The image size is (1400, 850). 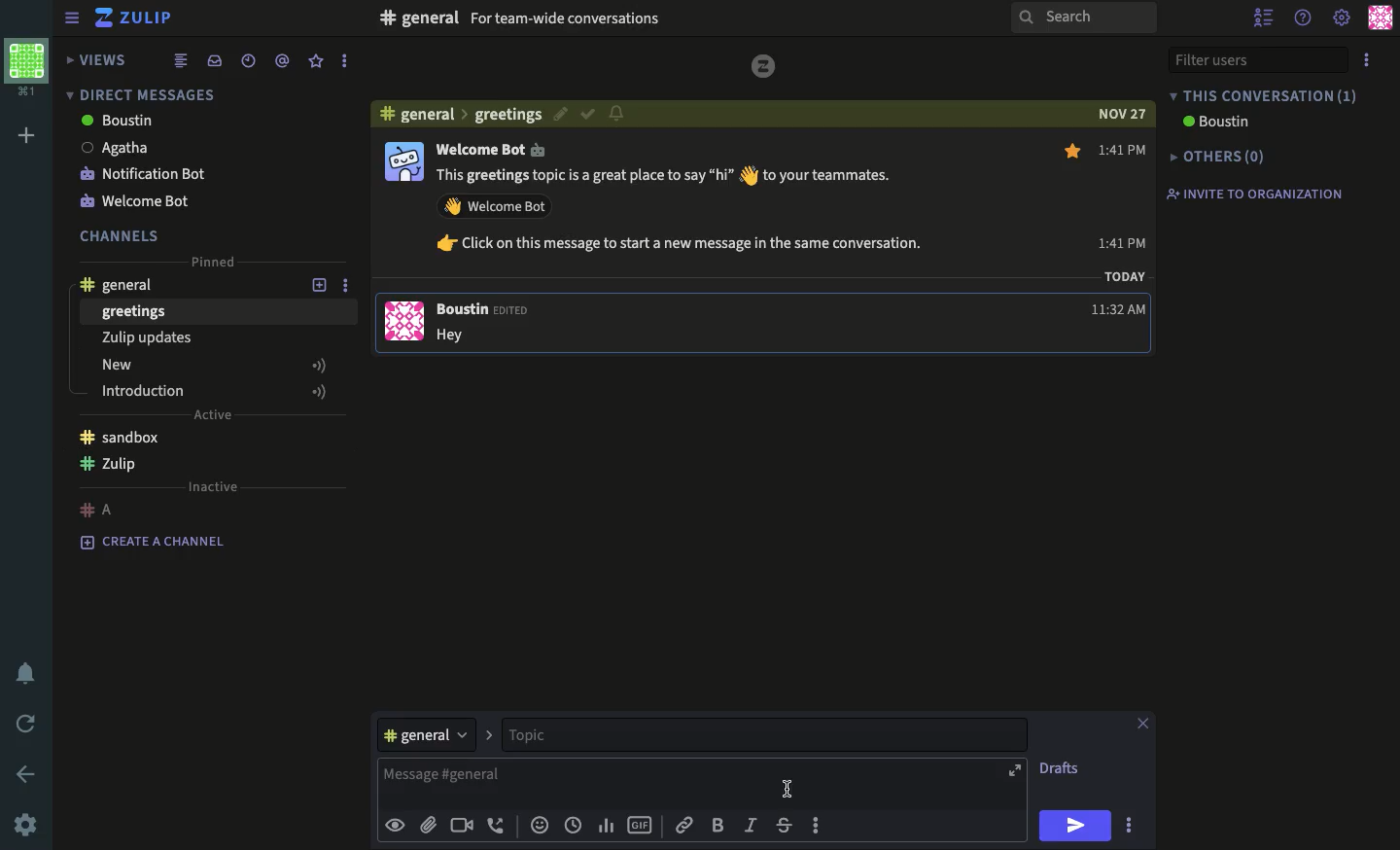 I want to click on drafts, so click(x=1060, y=766).